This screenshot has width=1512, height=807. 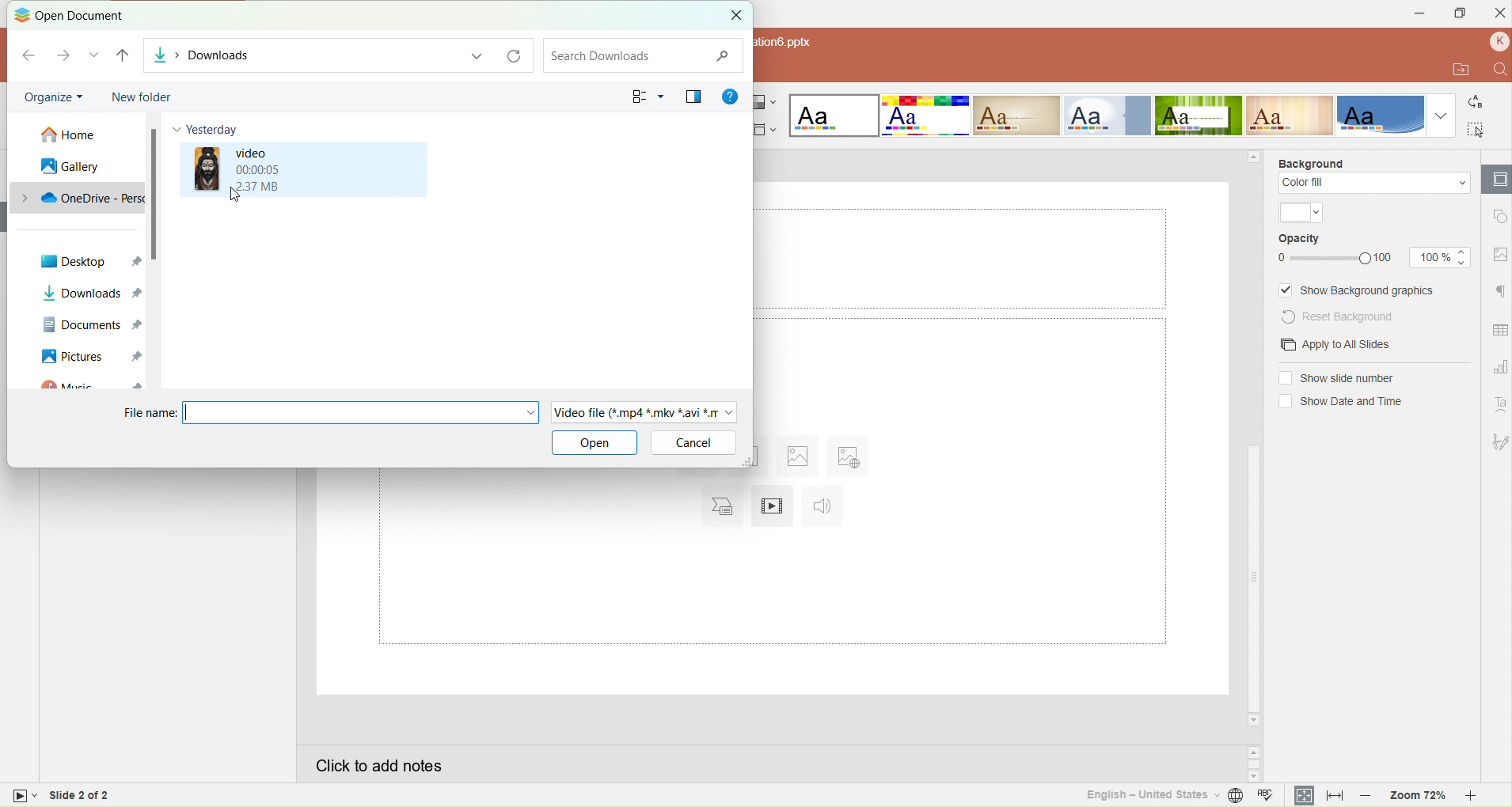 What do you see at coordinates (1336, 344) in the screenshot?
I see `Apply to all slides` at bounding box center [1336, 344].